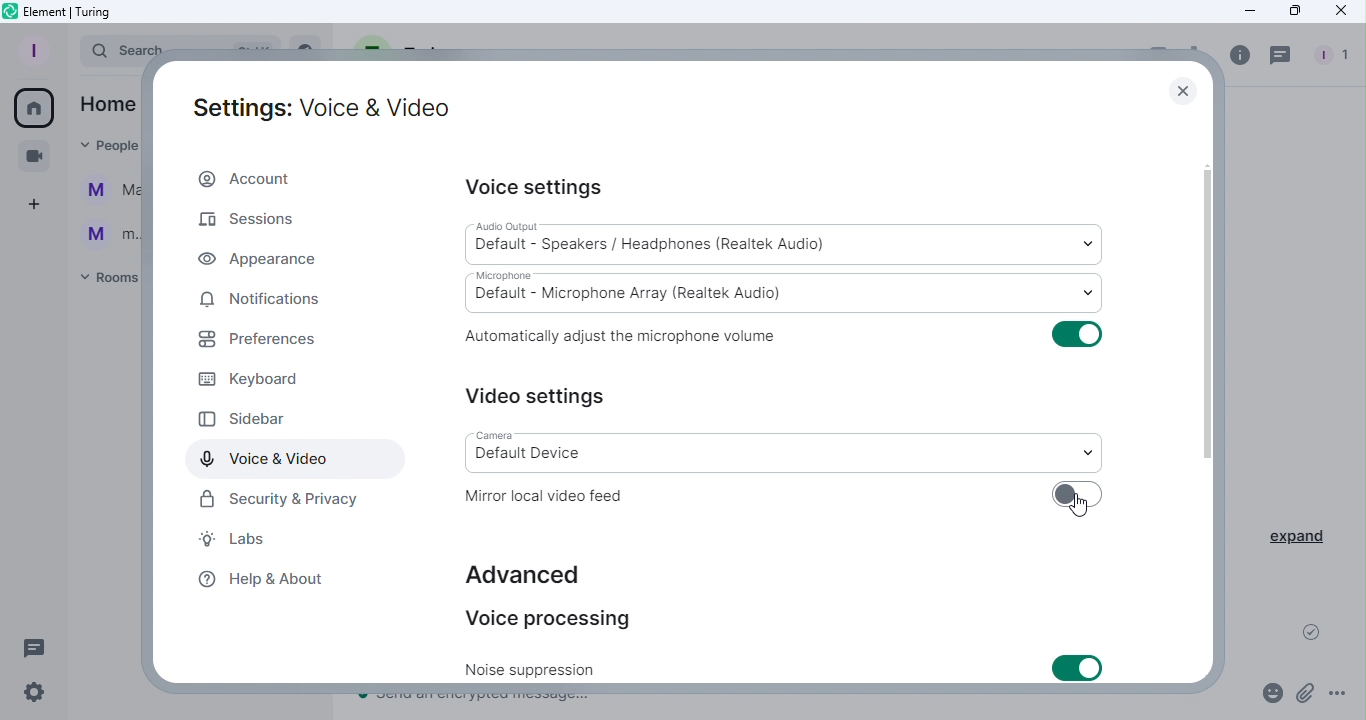 Image resolution: width=1366 pixels, height=720 pixels. I want to click on Help and about, so click(268, 584).